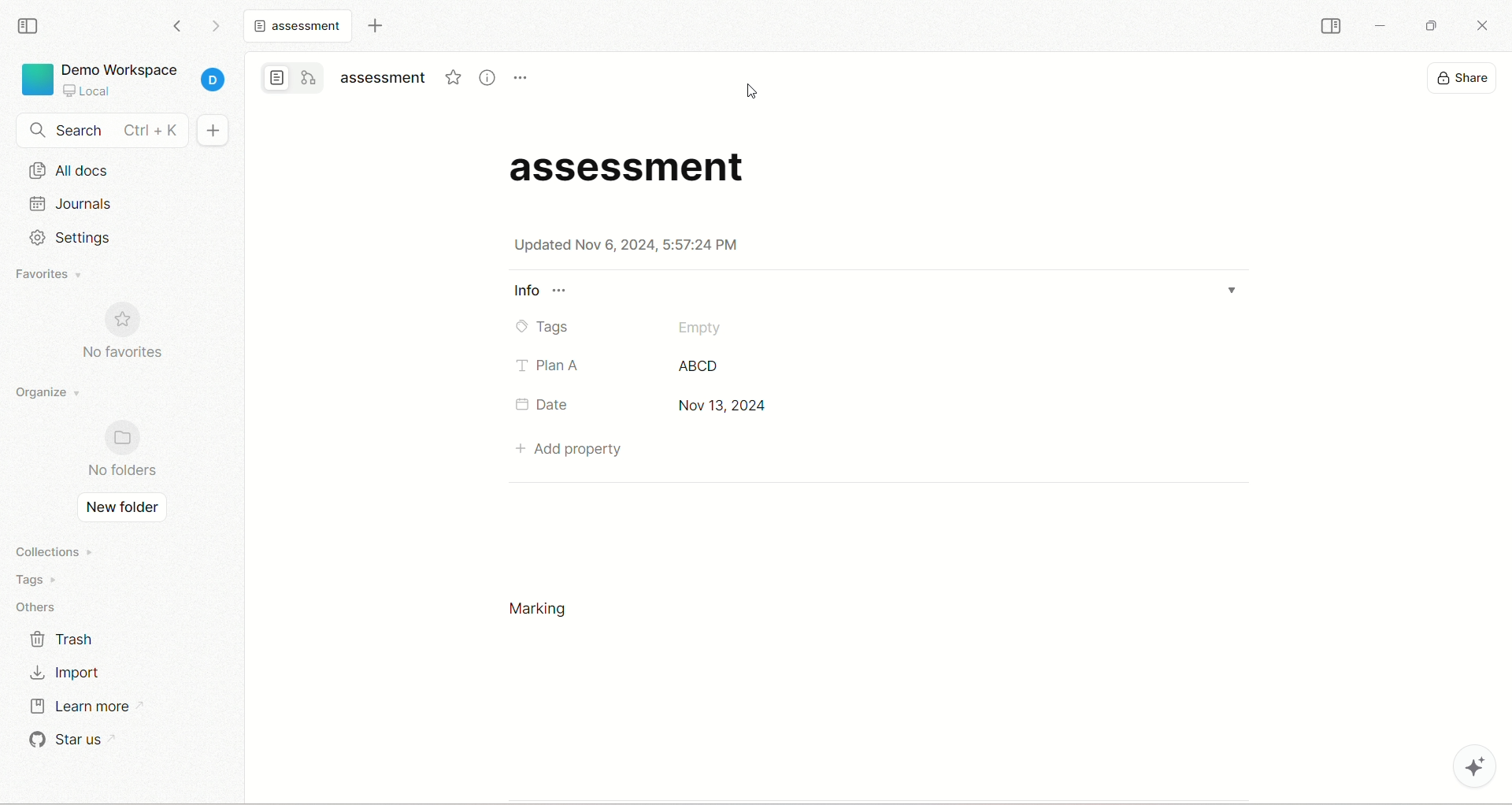  I want to click on AFFiNE AI, so click(1466, 768).